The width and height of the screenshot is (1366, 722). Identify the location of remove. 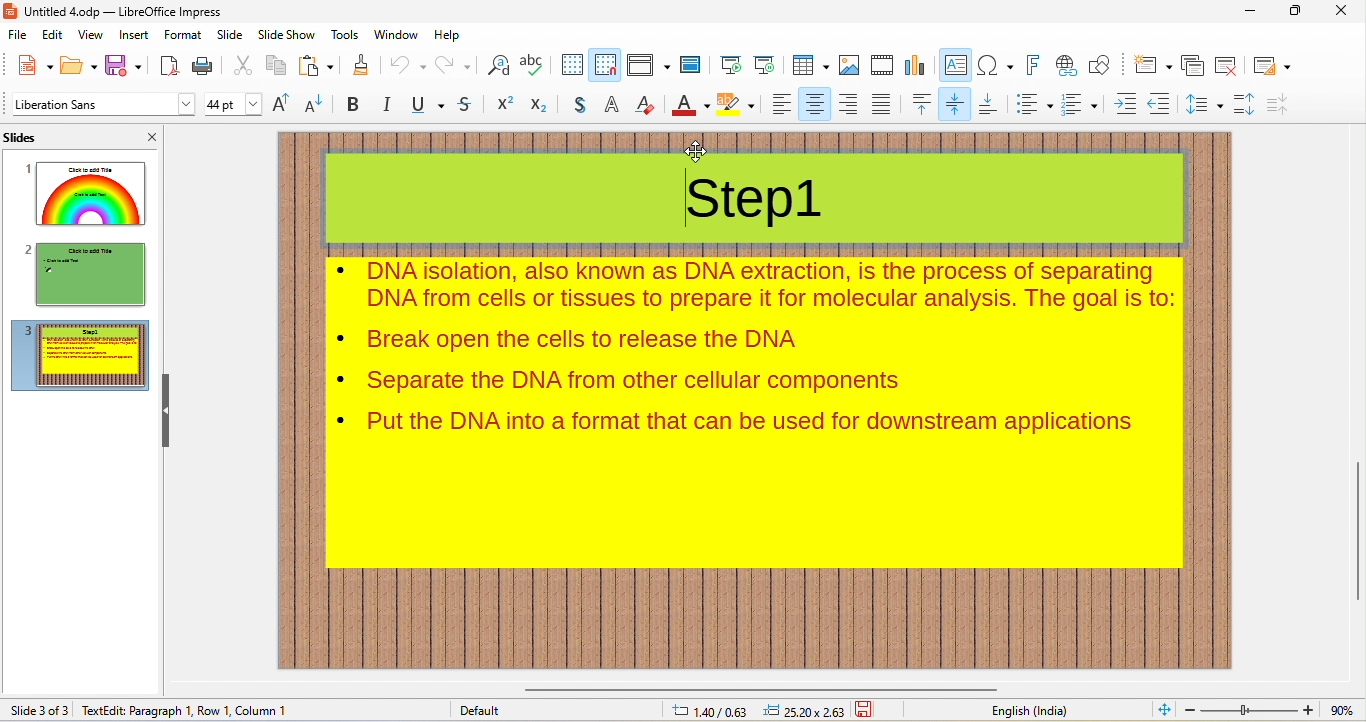
(1228, 66).